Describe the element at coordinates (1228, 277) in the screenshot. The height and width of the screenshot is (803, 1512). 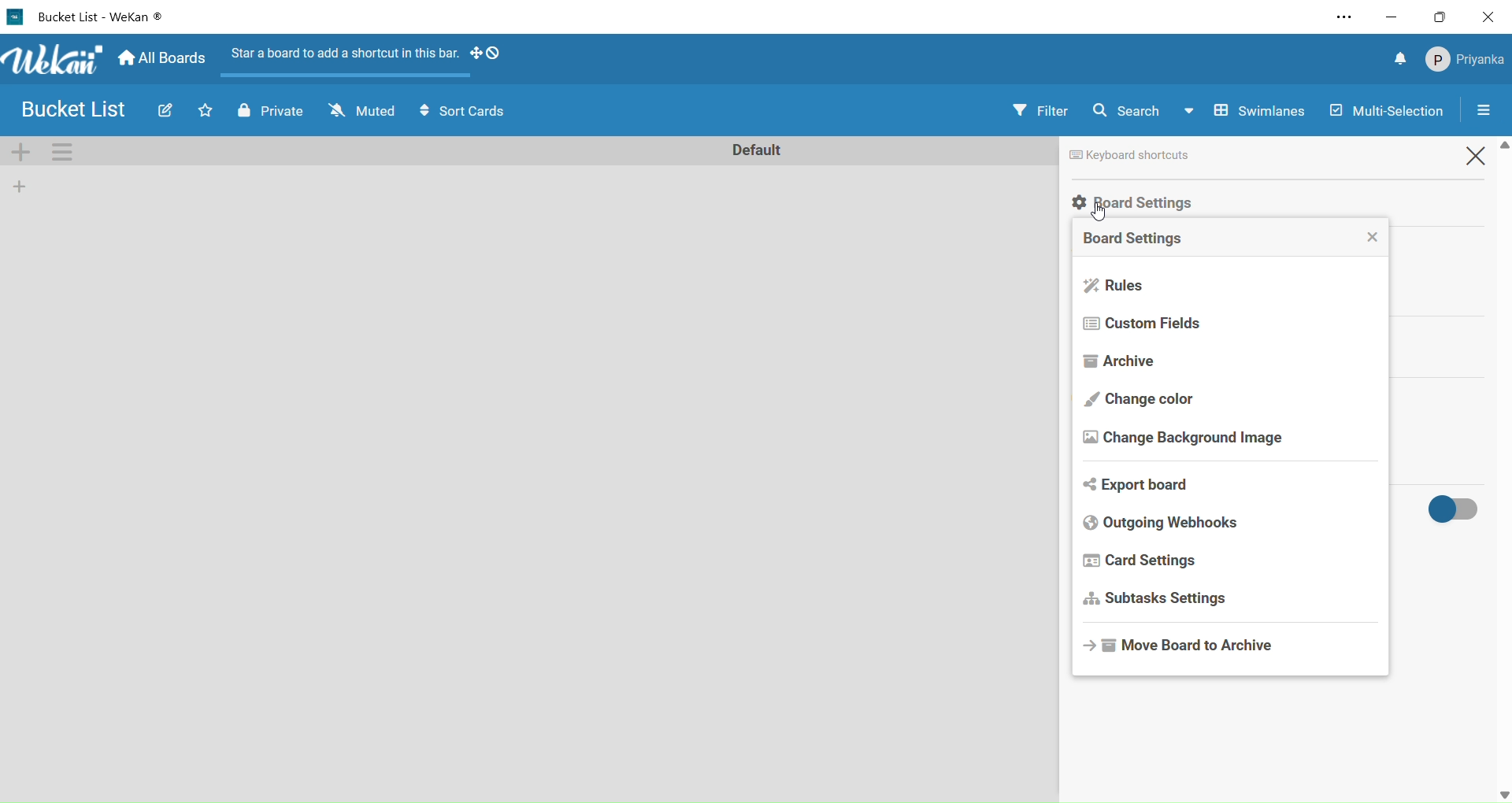
I see `rules` at that location.